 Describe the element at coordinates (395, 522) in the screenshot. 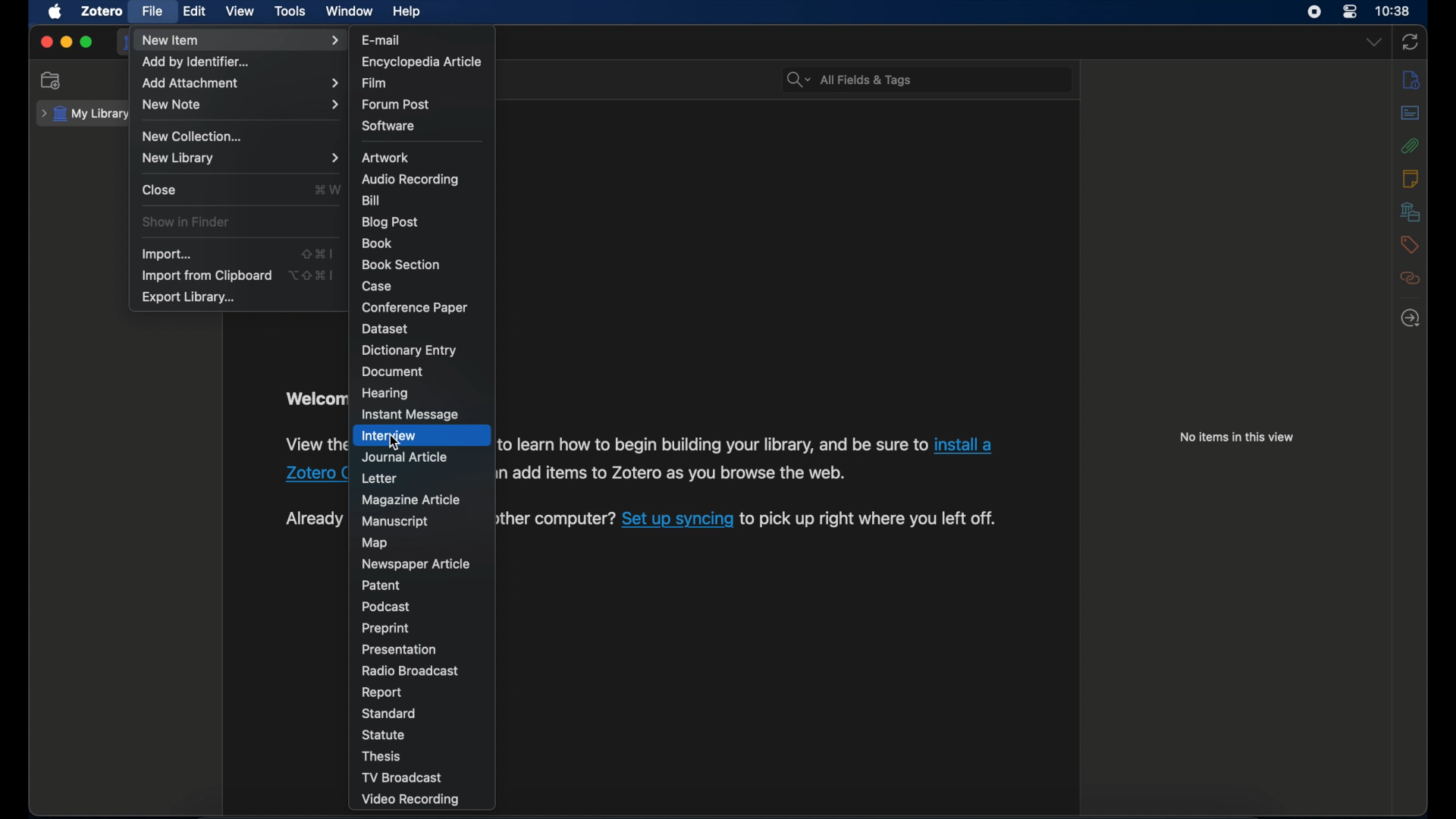

I see `manuscript` at that location.